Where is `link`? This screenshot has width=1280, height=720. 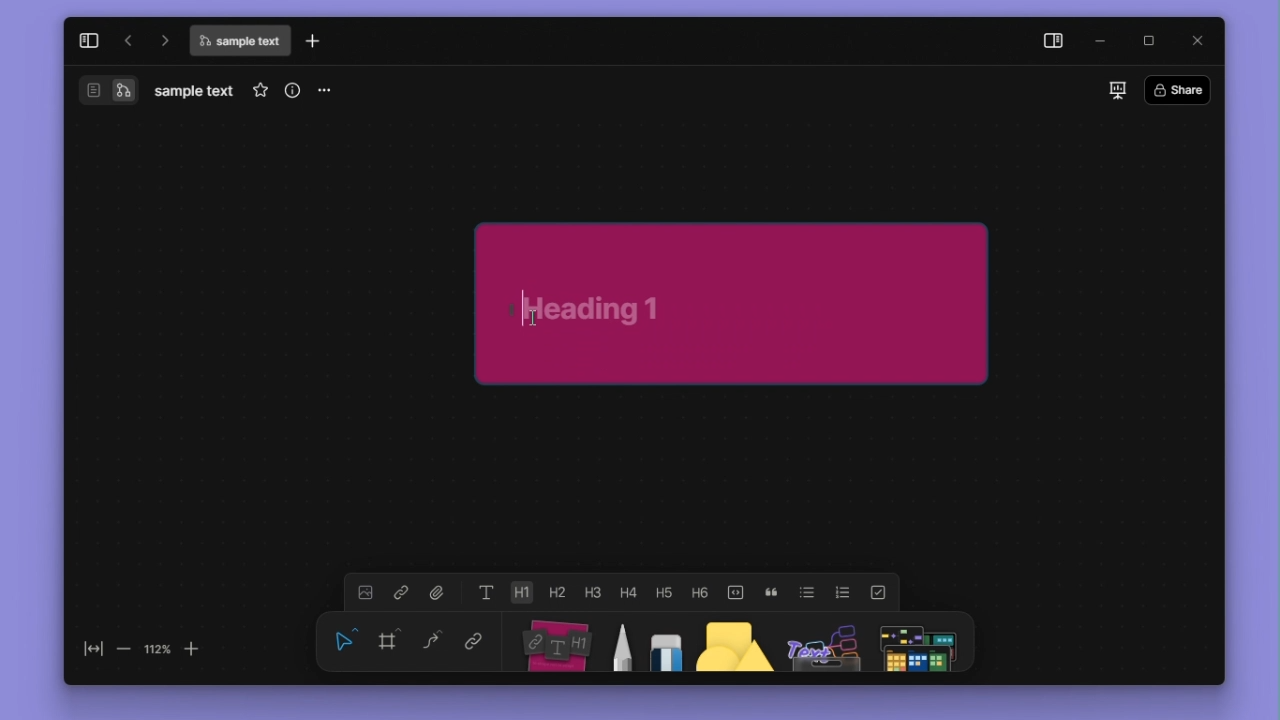
link is located at coordinates (401, 592).